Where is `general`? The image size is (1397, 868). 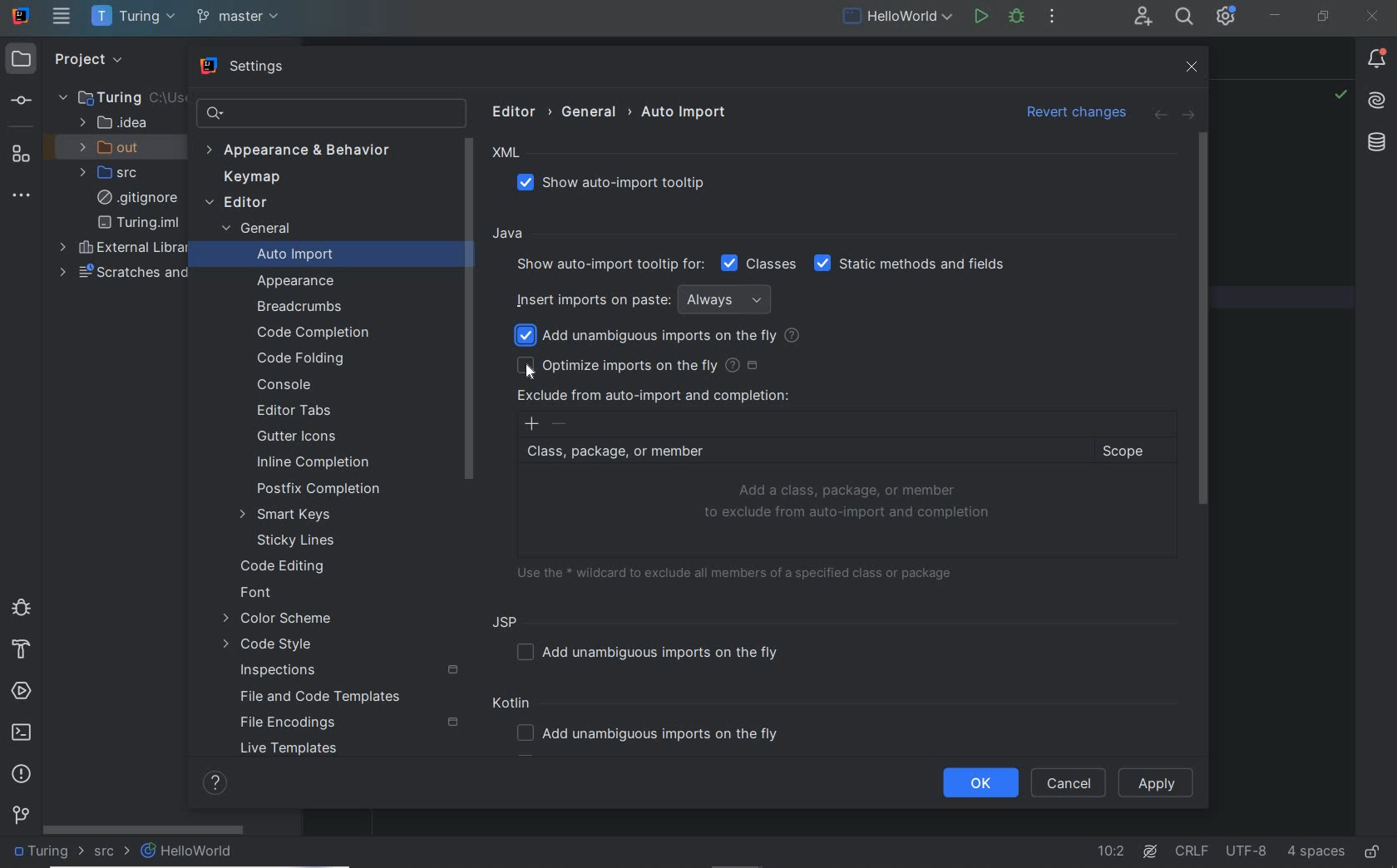
general is located at coordinates (592, 111).